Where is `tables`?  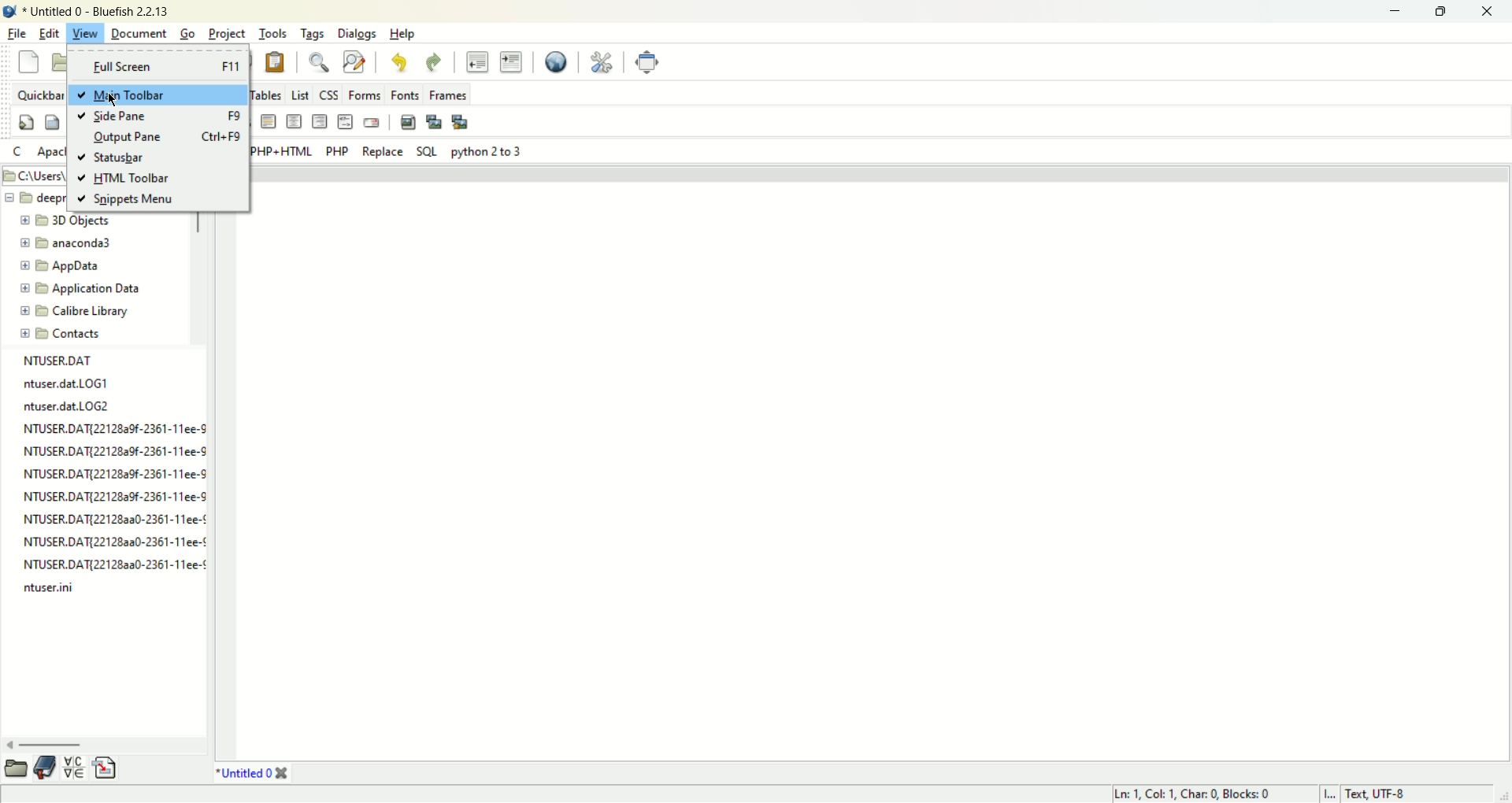
tables is located at coordinates (269, 94).